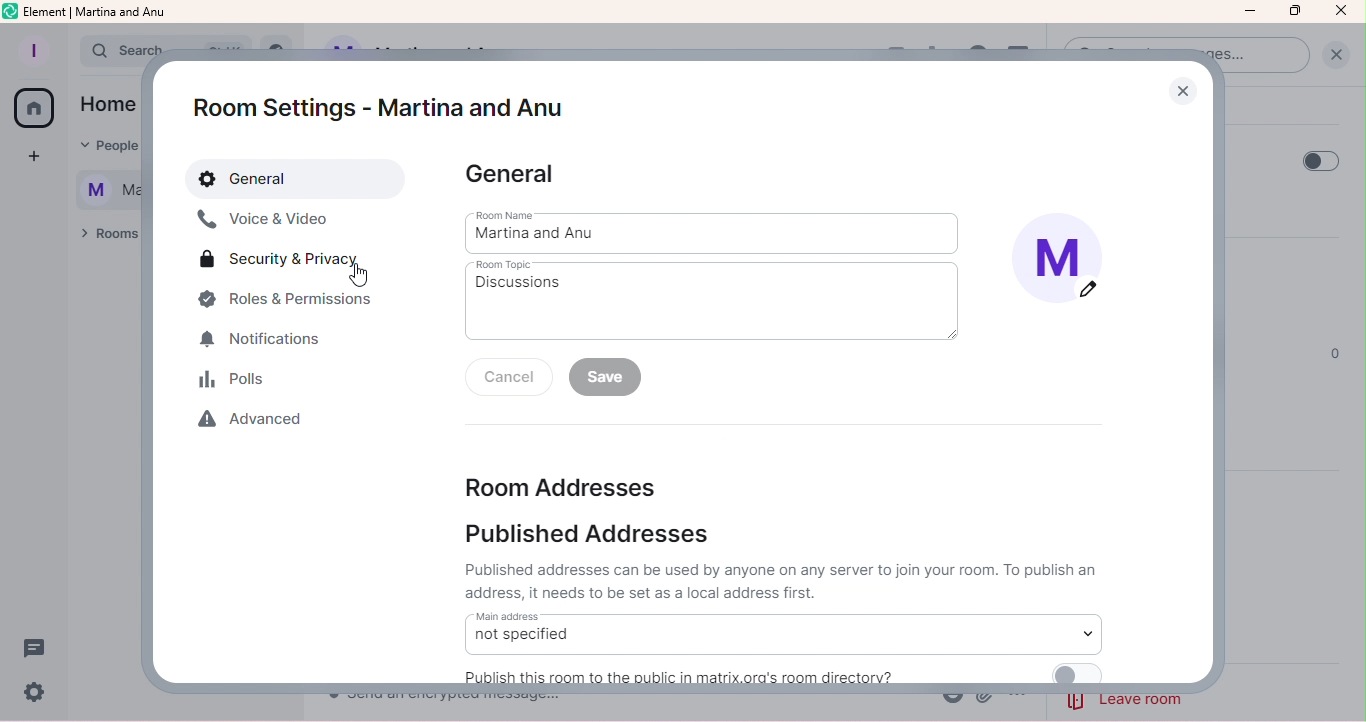 Image resolution: width=1366 pixels, height=722 pixels. I want to click on General, so click(299, 180).